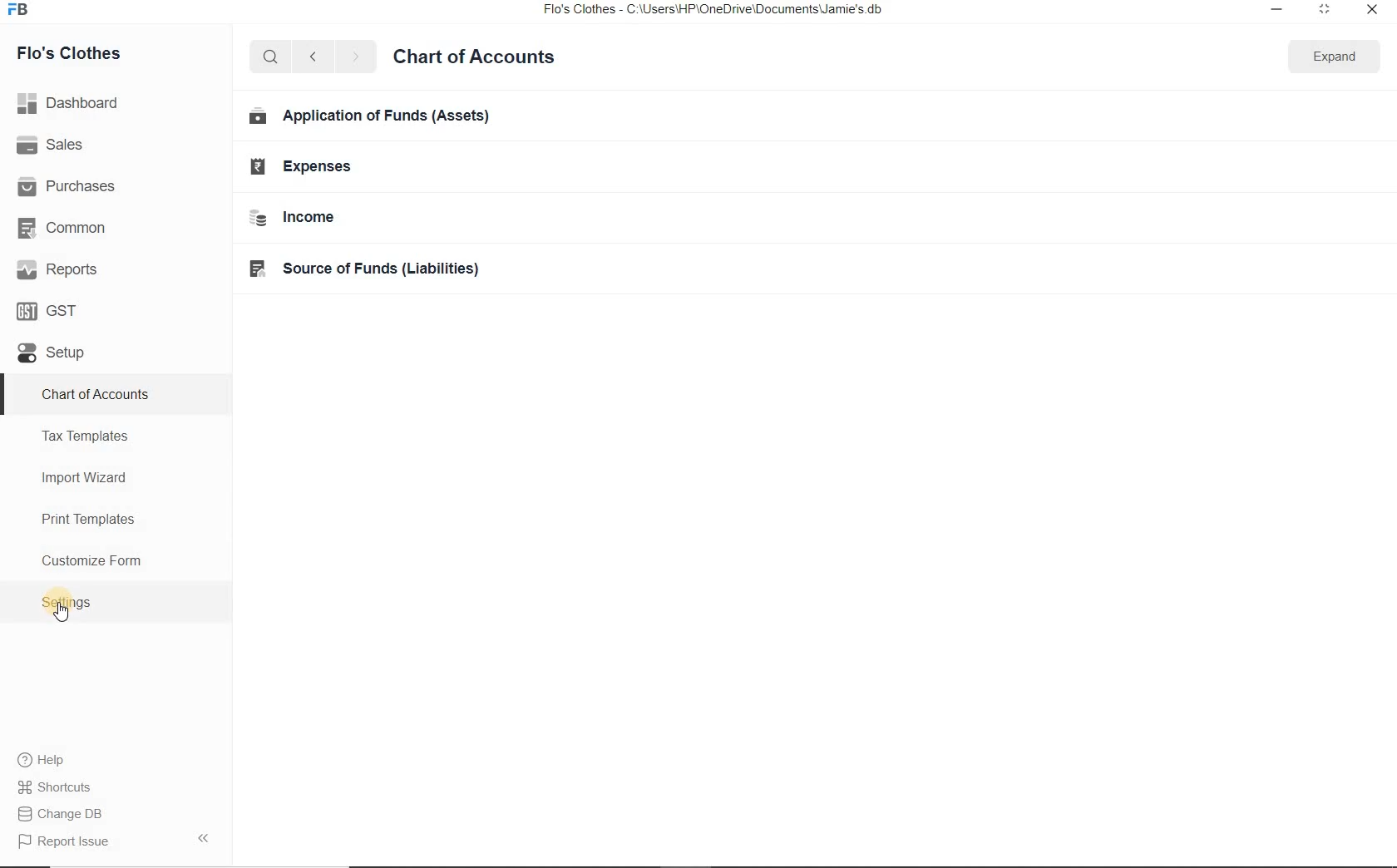 Image resolution: width=1397 pixels, height=868 pixels. What do you see at coordinates (50, 311) in the screenshot?
I see `GST` at bounding box center [50, 311].